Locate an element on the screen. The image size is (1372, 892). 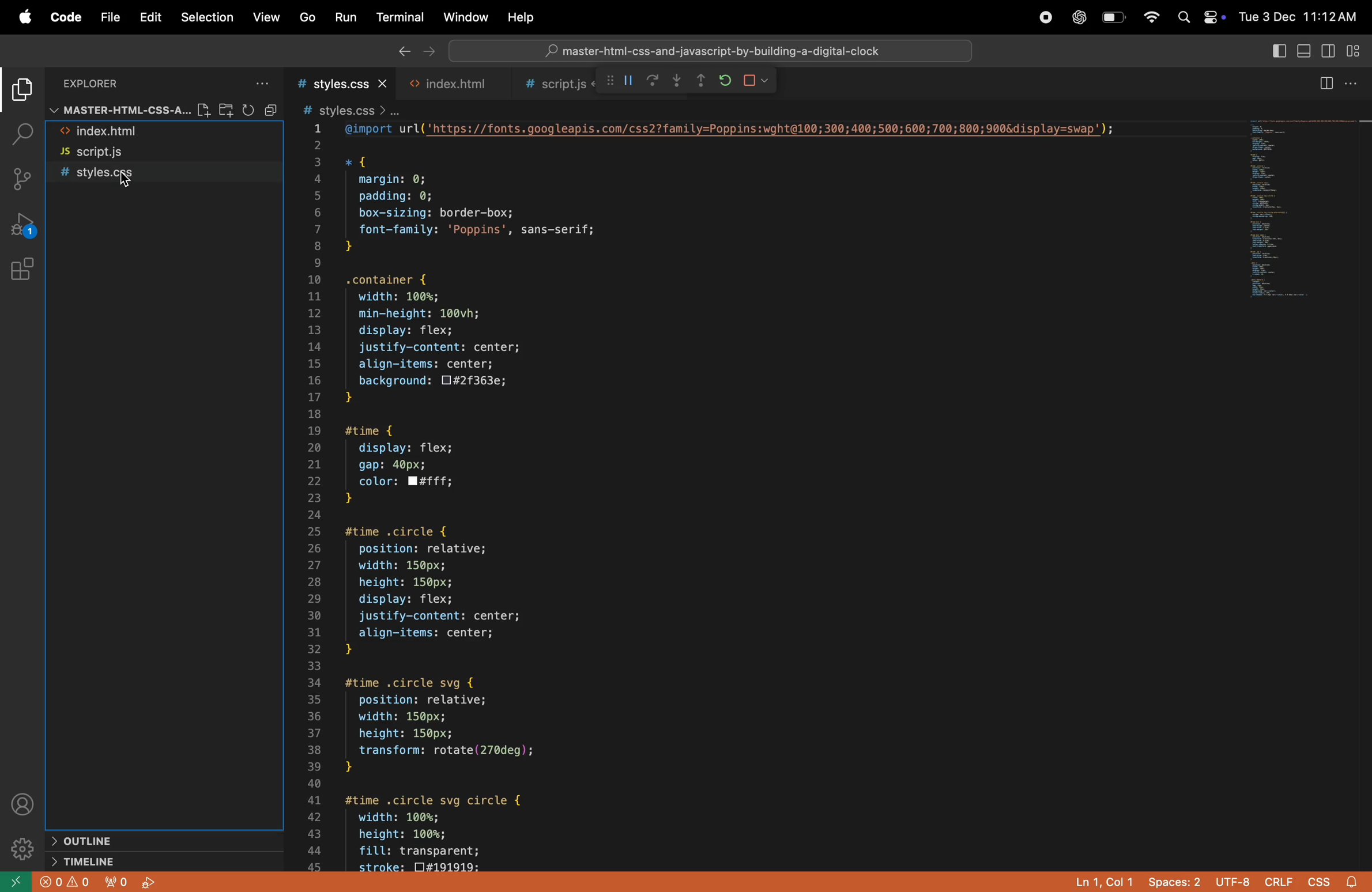
toggle panel is located at coordinates (1305, 51).